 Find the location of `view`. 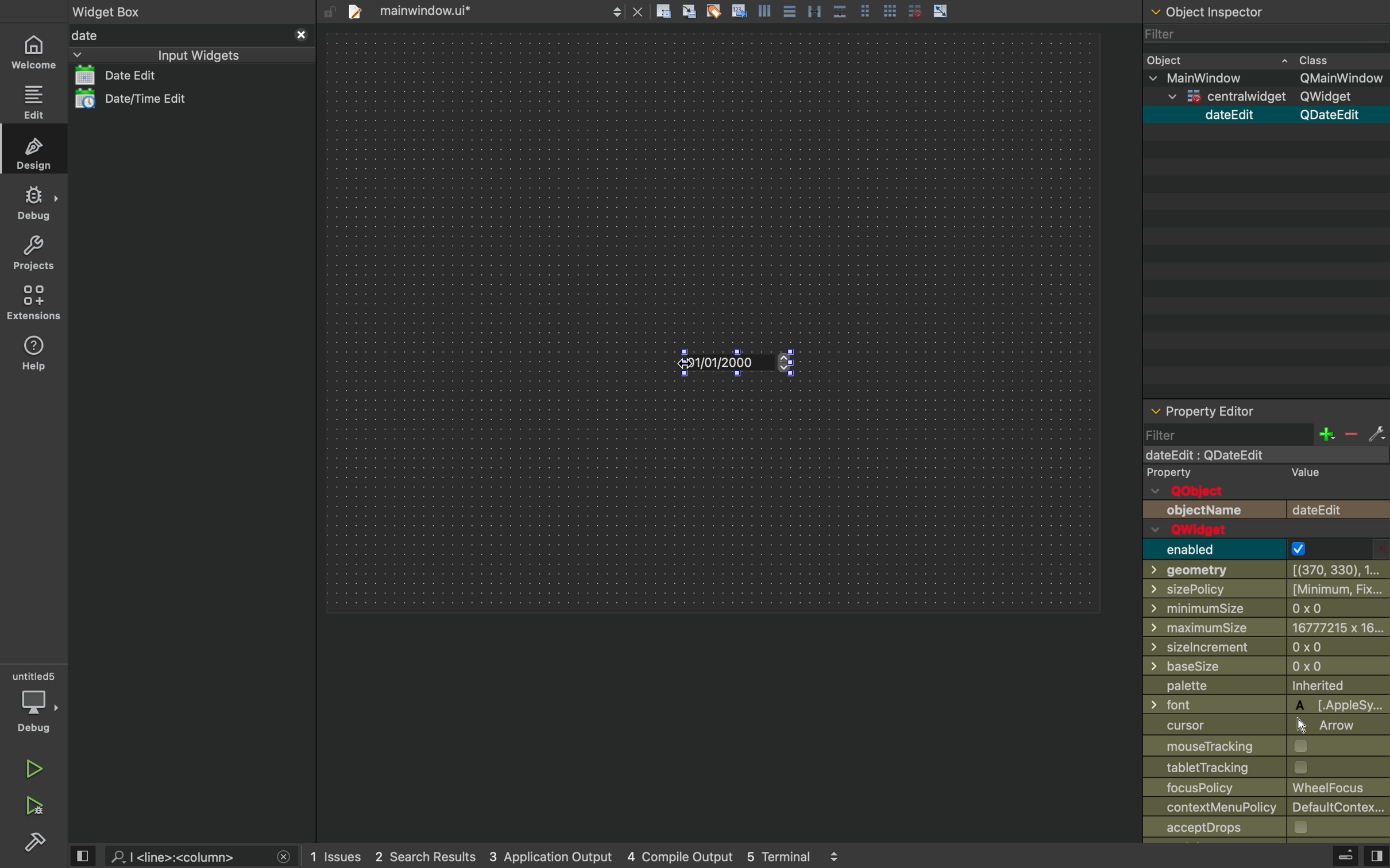

view is located at coordinates (81, 855).